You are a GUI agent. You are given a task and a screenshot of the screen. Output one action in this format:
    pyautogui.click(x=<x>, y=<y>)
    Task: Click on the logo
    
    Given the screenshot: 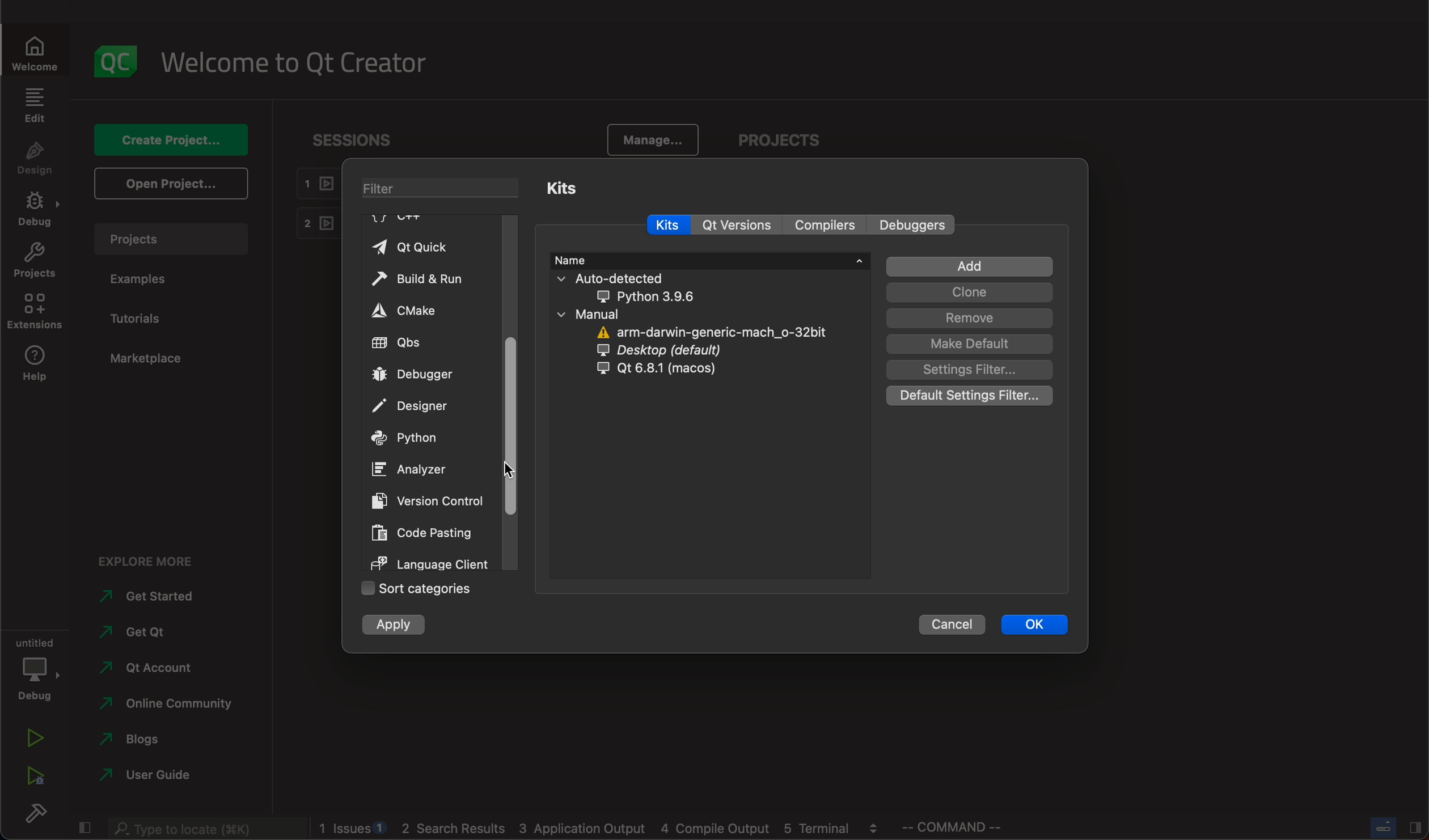 What is the action you would take?
    pyautogui.click(x=111, y=62)
    